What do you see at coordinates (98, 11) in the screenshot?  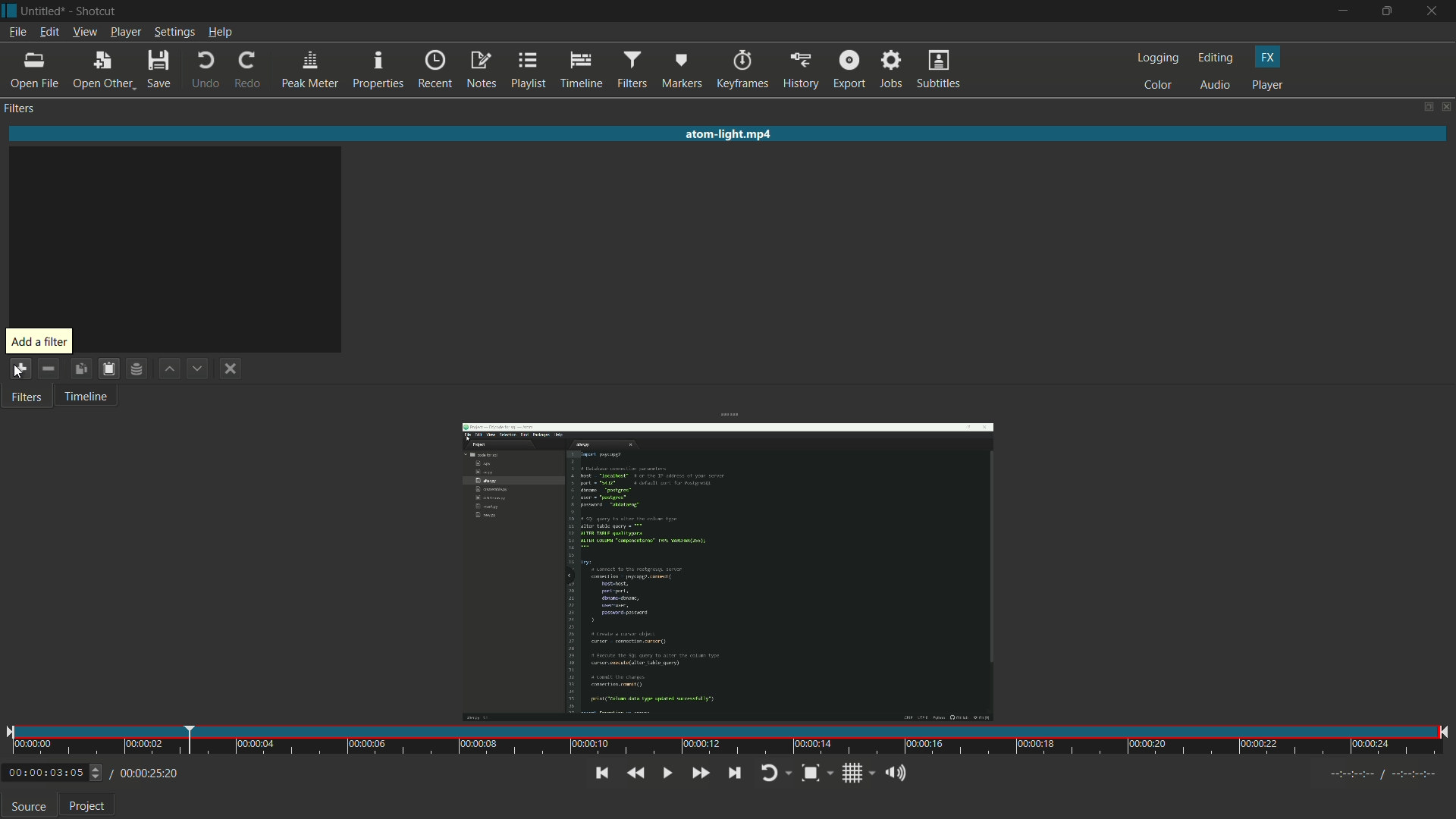 I see `app name` at bounding box center [98, 11].